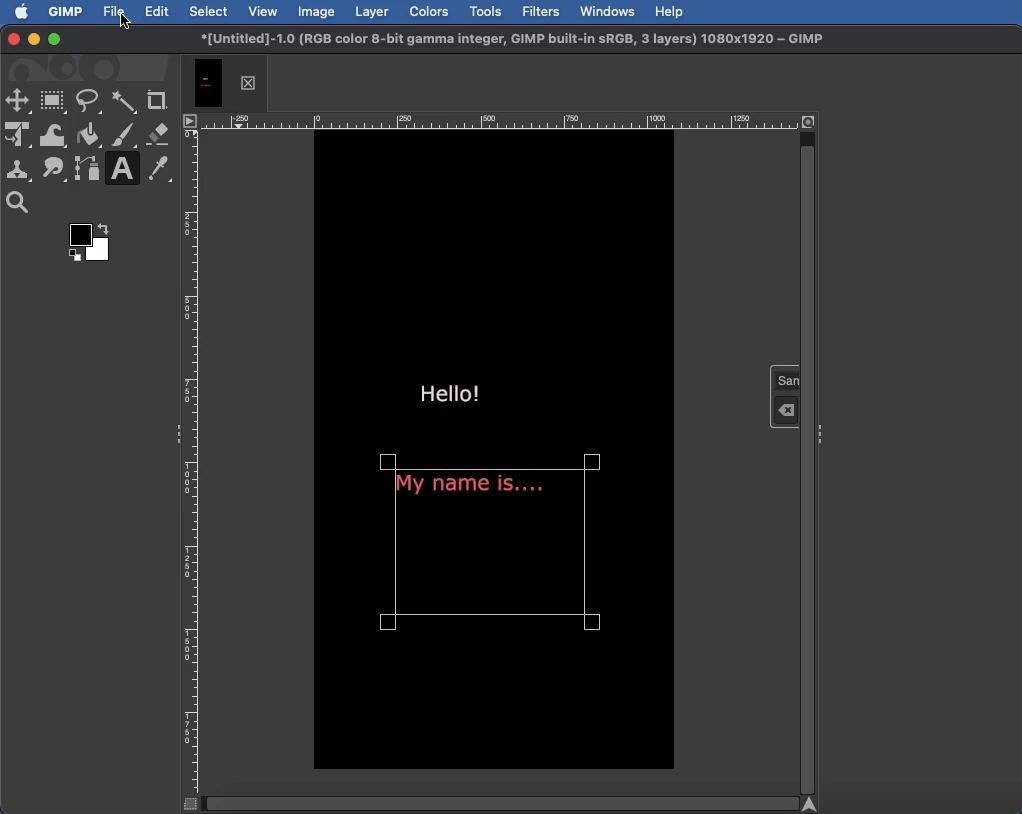 The width and height of the screenshot is (1022, 814). Describe the element at coordinates (18, 102) in the screenshot. I see `Move tool` at that location.